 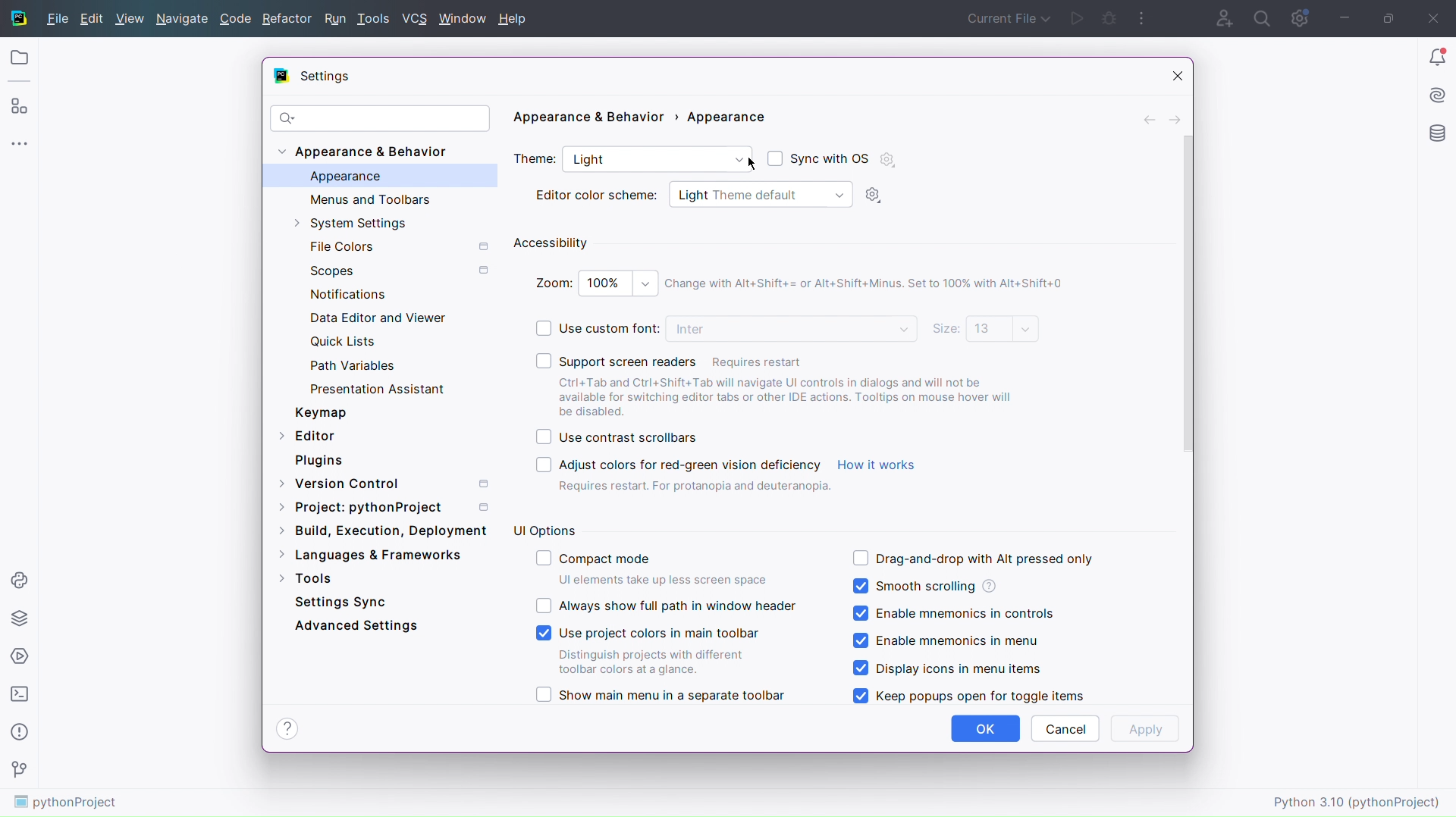 What do you see at coordinates (986, 729) in the screenshot?
I see `OK` at bounding box center [986, 729].